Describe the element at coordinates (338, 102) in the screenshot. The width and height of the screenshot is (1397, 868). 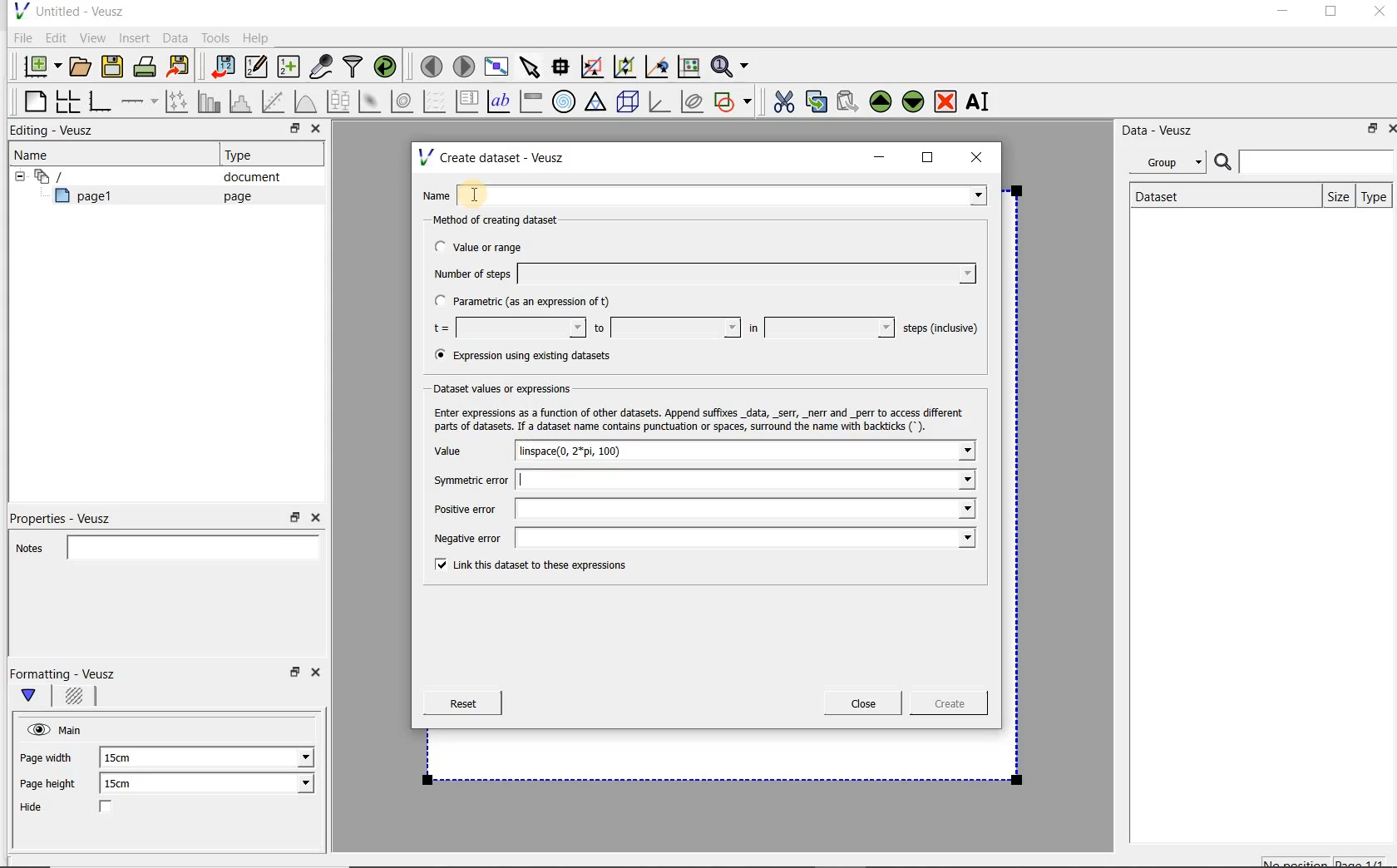
I see `plot box plots` at that location.